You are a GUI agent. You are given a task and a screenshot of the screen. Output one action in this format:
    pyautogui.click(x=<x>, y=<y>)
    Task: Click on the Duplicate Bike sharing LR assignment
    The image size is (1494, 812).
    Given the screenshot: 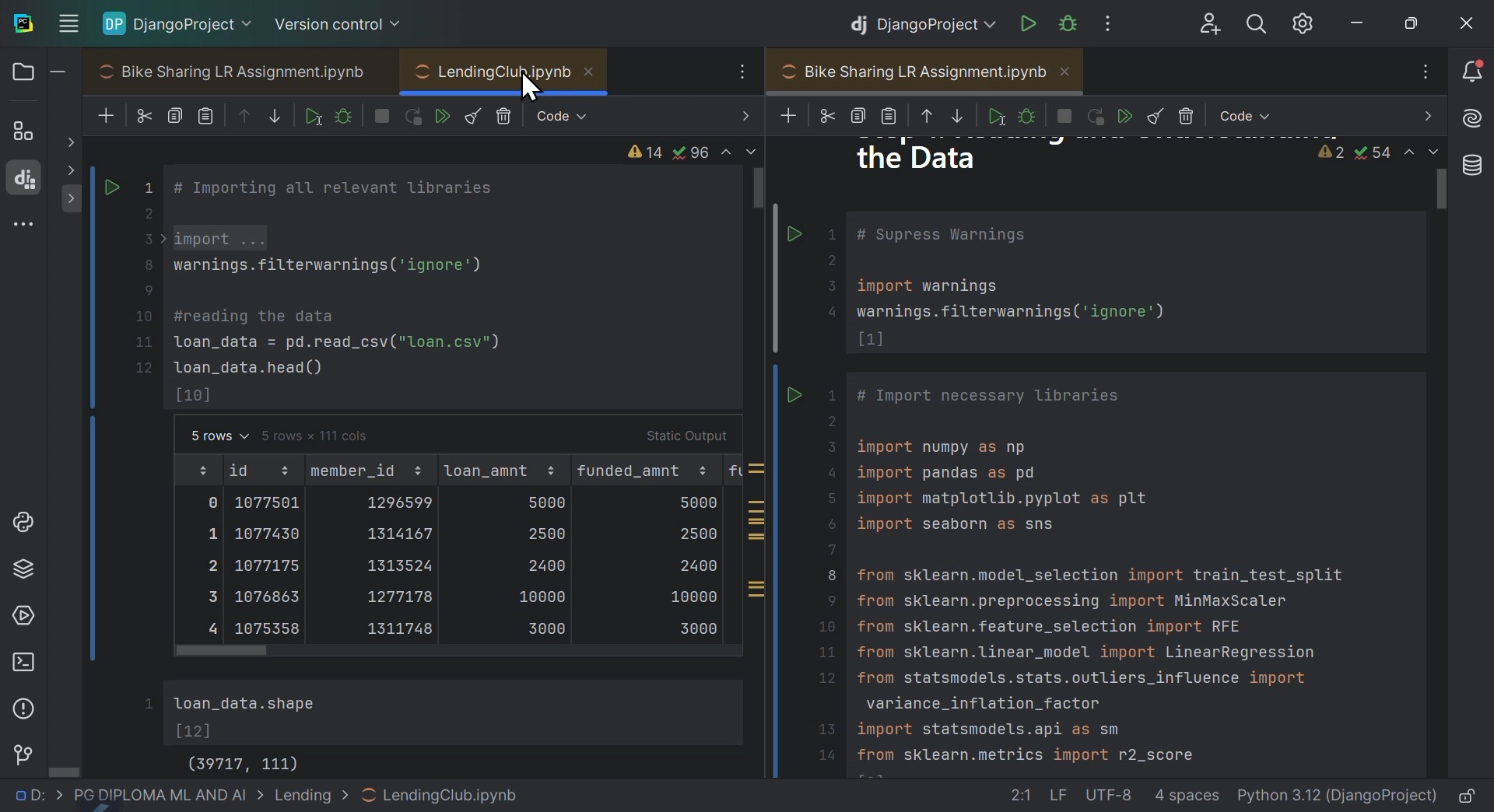 What is the action you would take?
    pyautogui.click(x=1096, y=472)
    